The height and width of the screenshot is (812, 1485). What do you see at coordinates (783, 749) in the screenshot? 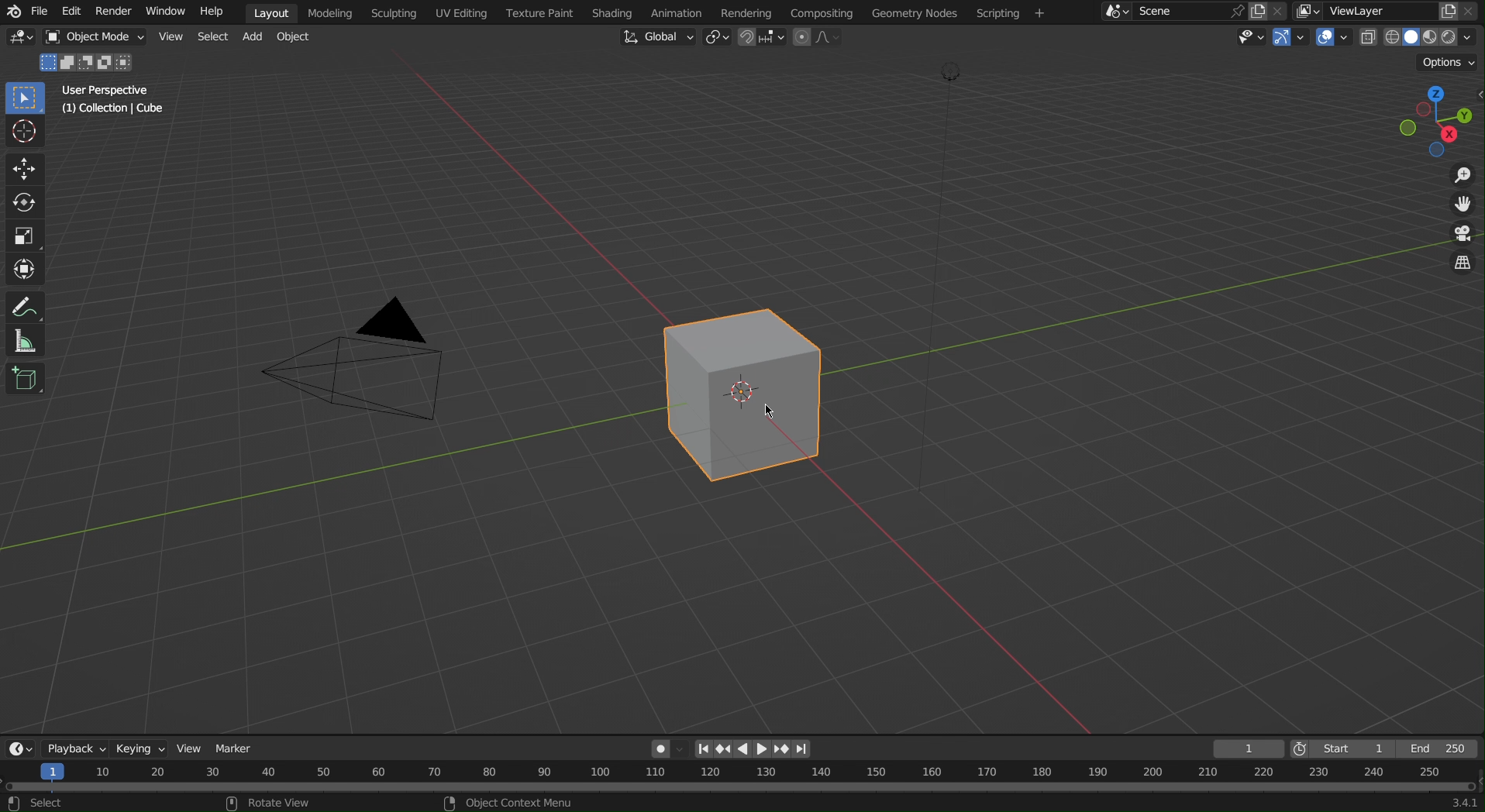
I see `next` at bounding box center [783, 749].